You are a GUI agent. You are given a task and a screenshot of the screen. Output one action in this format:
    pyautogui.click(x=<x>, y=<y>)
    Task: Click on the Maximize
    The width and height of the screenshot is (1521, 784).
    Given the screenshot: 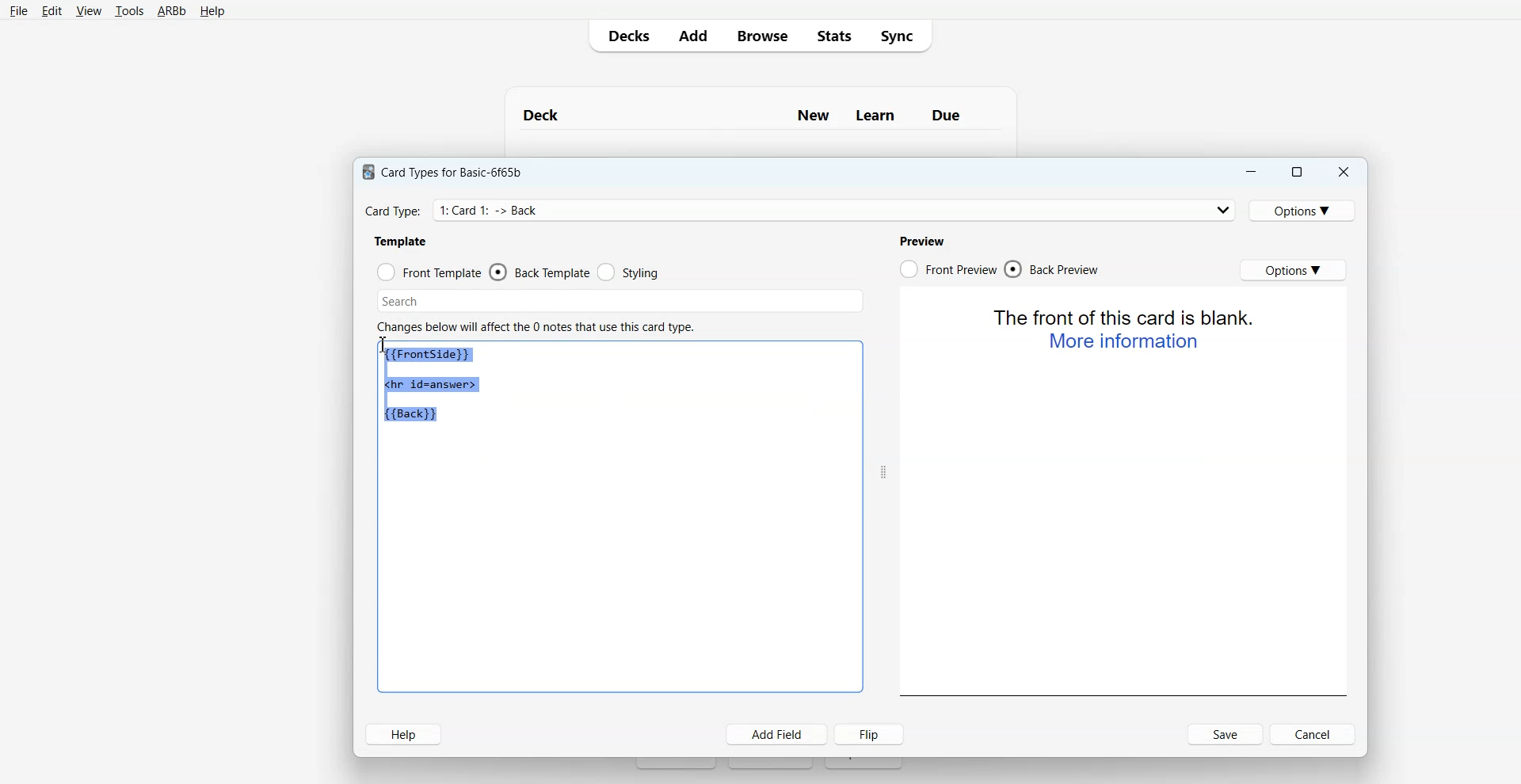 What is the action you would take?
    pyautogui.click(x=1298, y=171)
    